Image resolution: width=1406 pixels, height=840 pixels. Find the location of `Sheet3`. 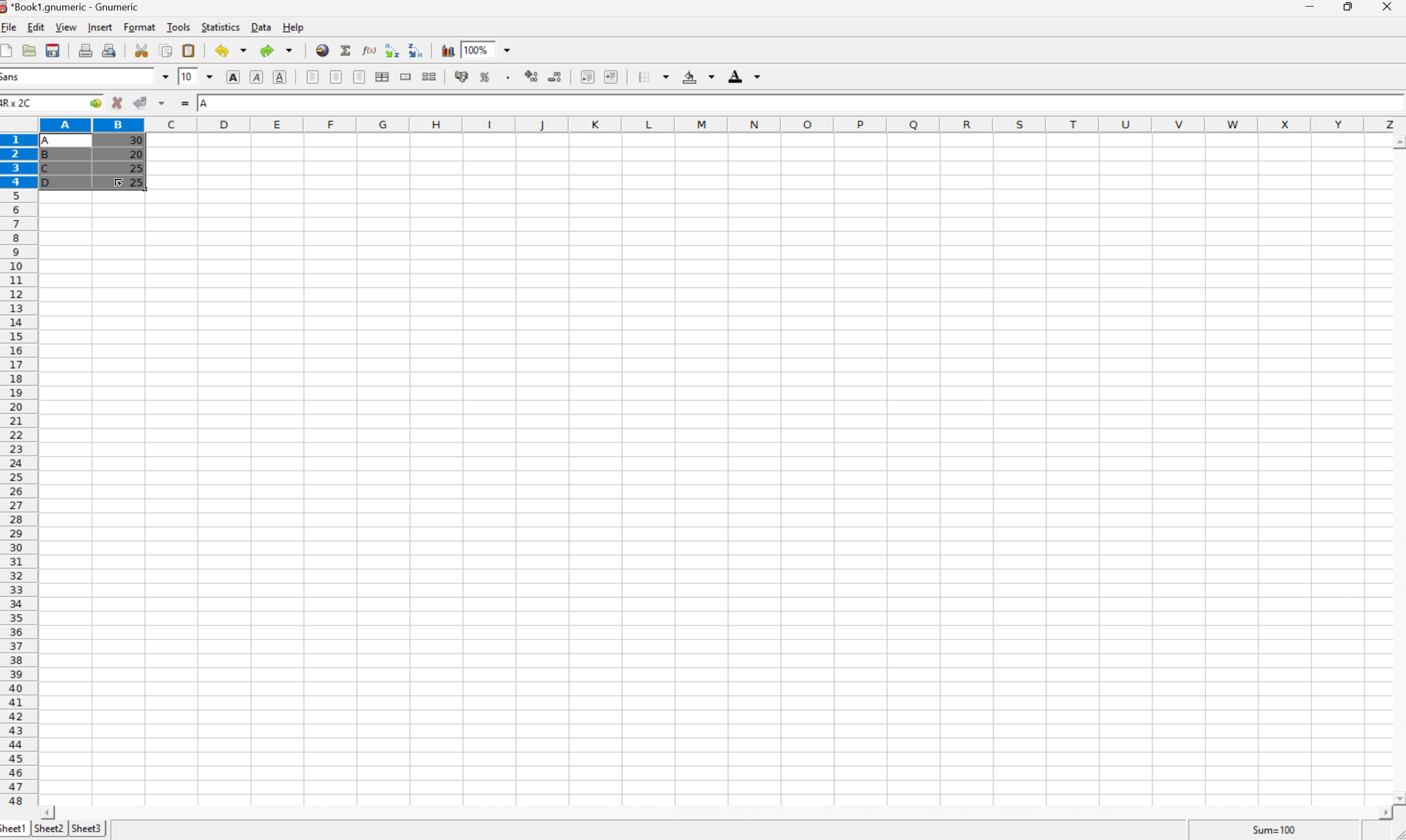

Sheet3 is located at coordinates (88, 827).